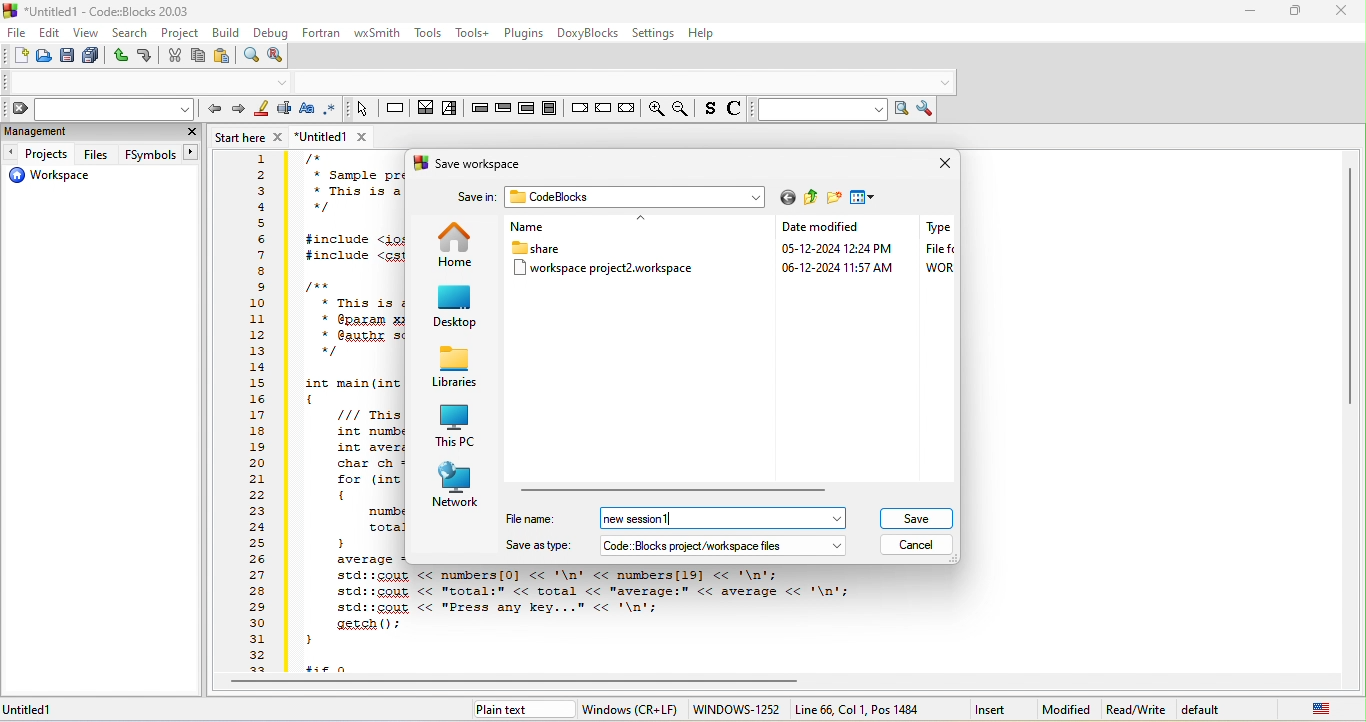 The width and height of the screenshot is (1366, 722). I want to click on network, so click(457, 486).